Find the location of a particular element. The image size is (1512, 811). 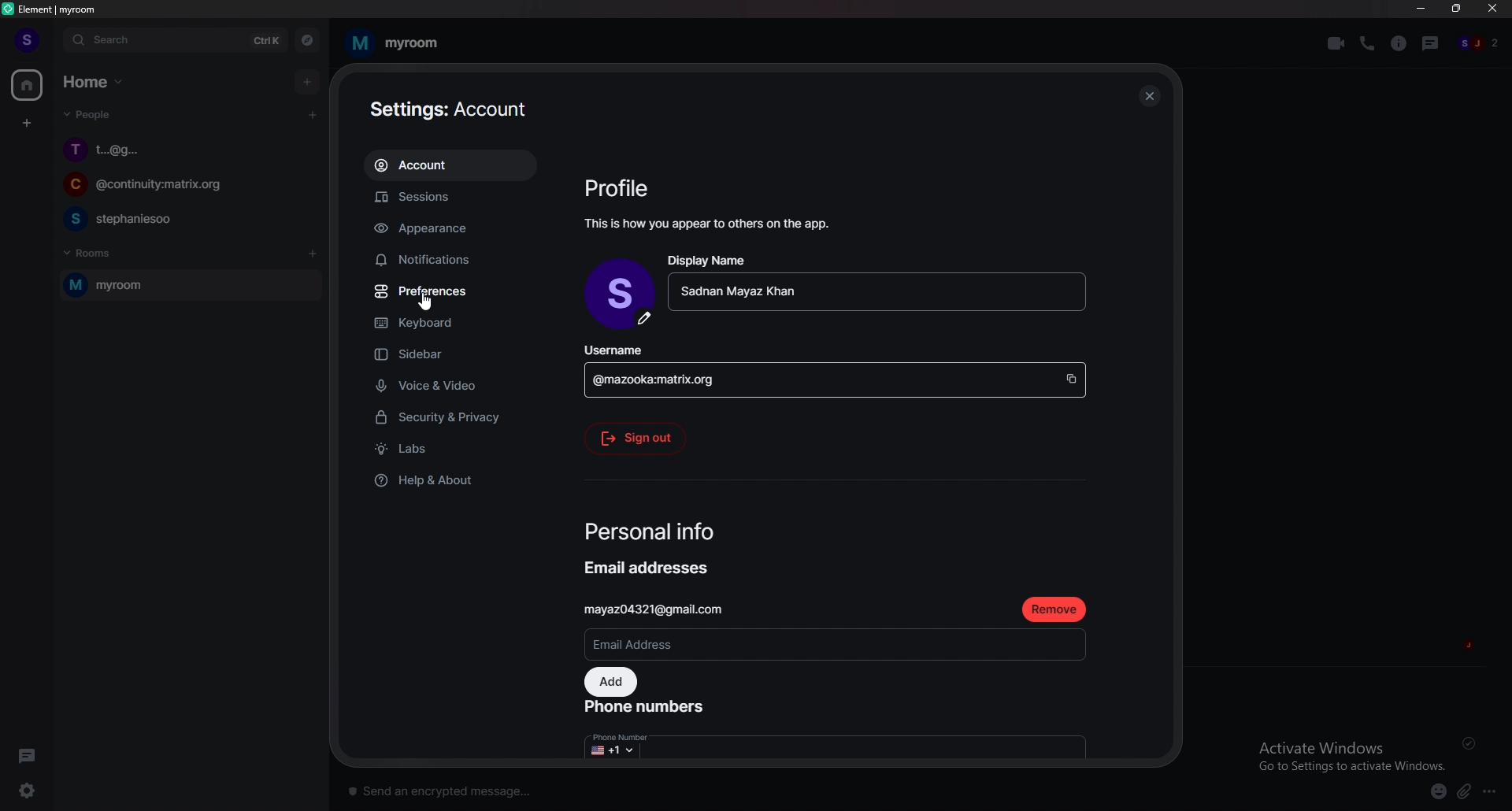

 is located at coordinates (623, 744).